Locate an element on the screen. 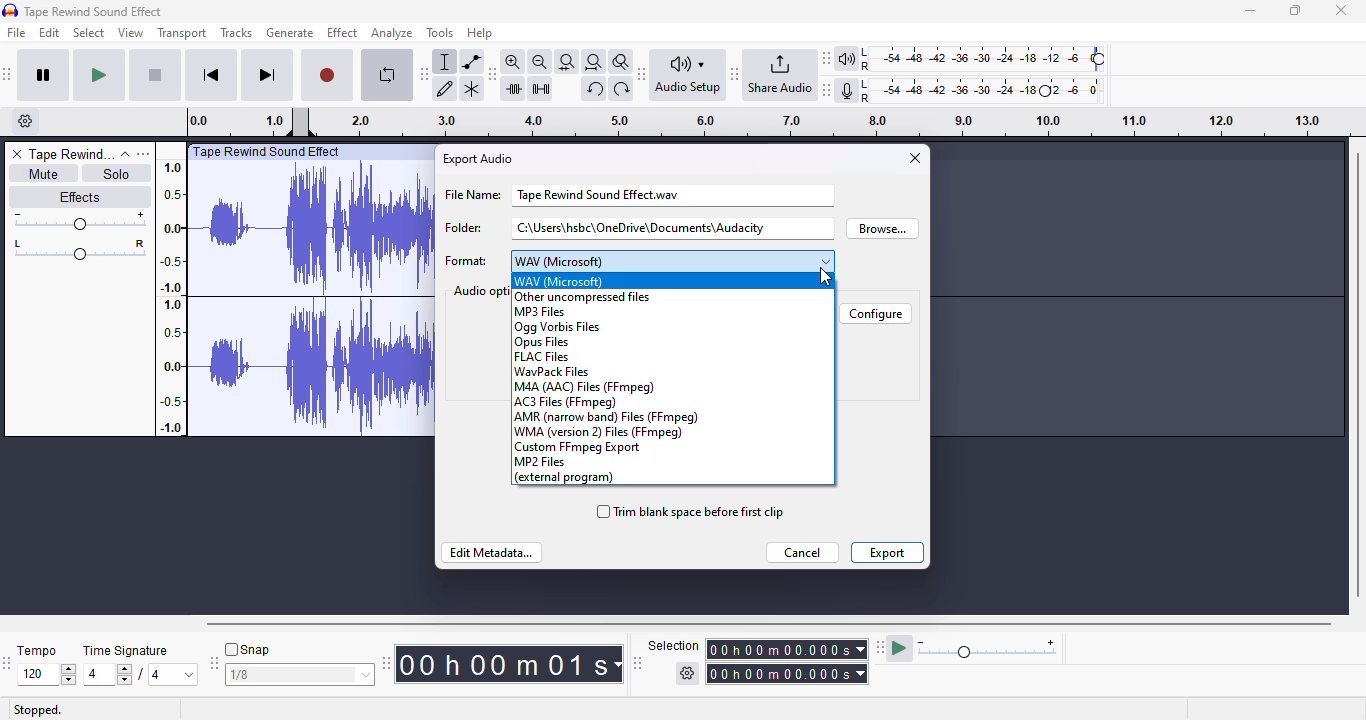 The width and height of the screenshot is (1366, 720). cursor is located at coordinates (825, 279).